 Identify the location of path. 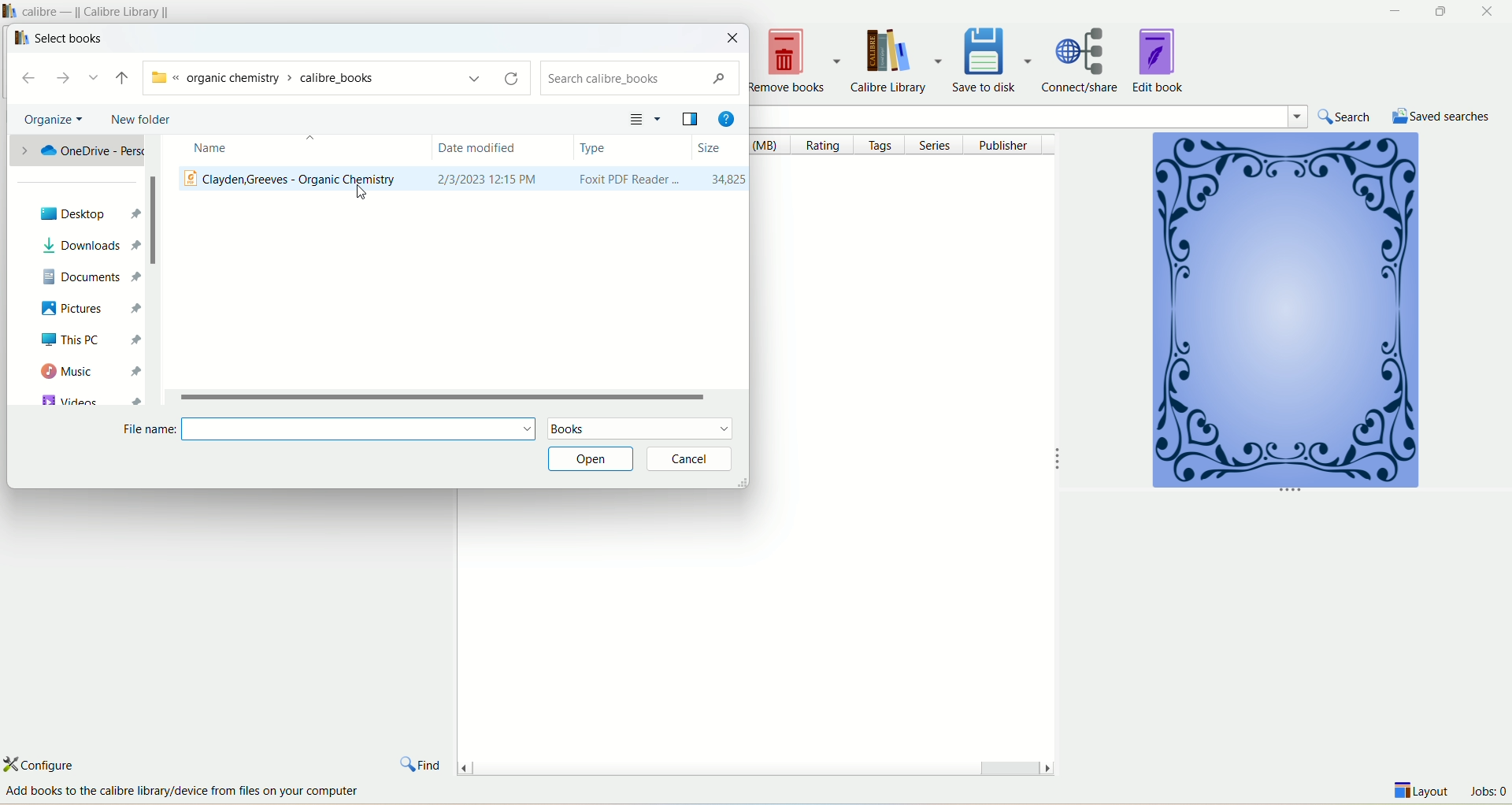
(330, 76).